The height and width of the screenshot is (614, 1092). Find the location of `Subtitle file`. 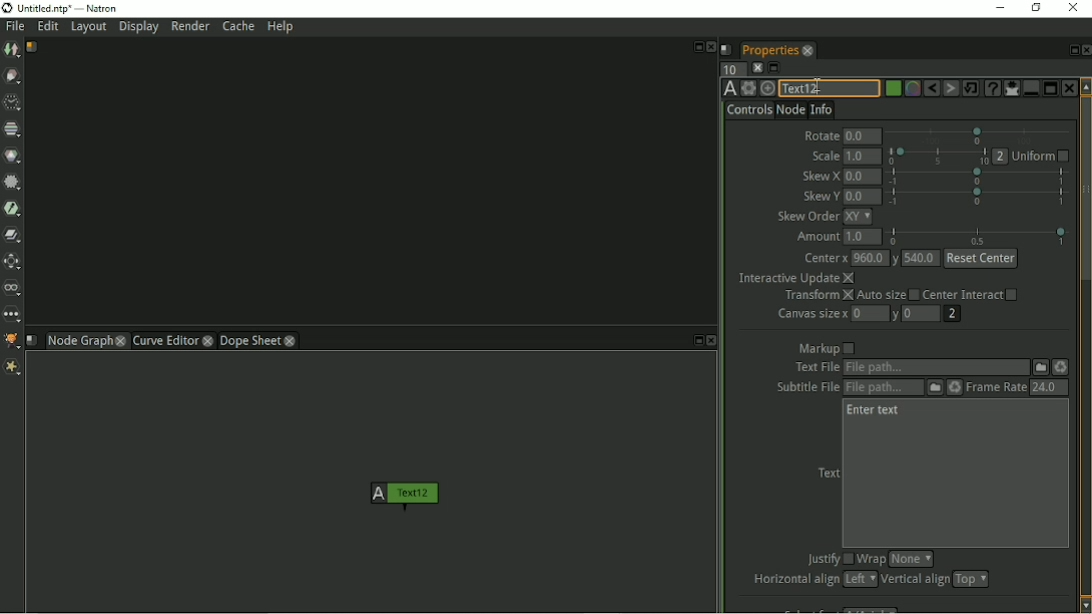

Subtitle file is located at coordinates (803, 388).